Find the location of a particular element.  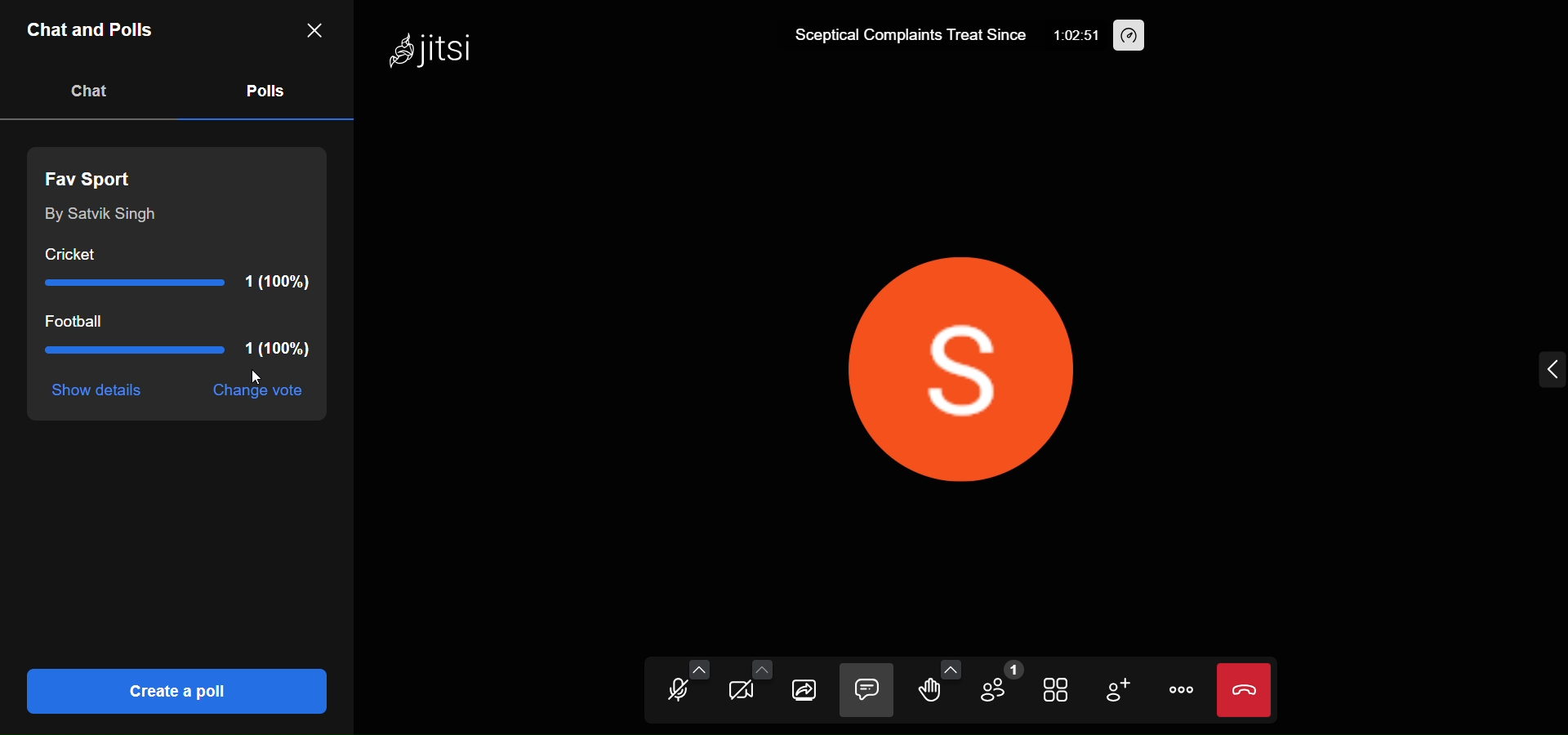

fav sport is located at coordinates (96, 176).